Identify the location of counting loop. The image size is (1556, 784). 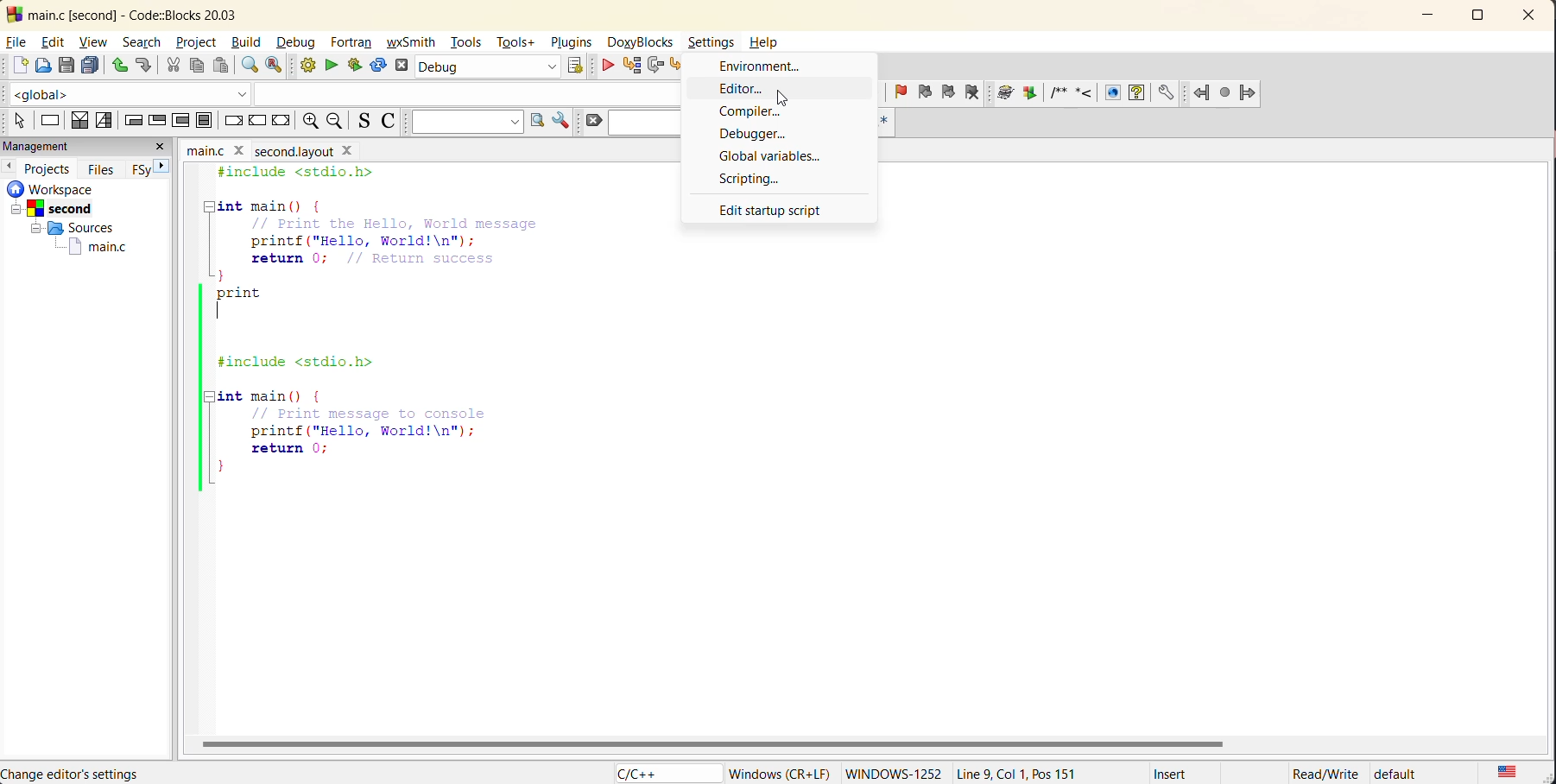
(178, 119).